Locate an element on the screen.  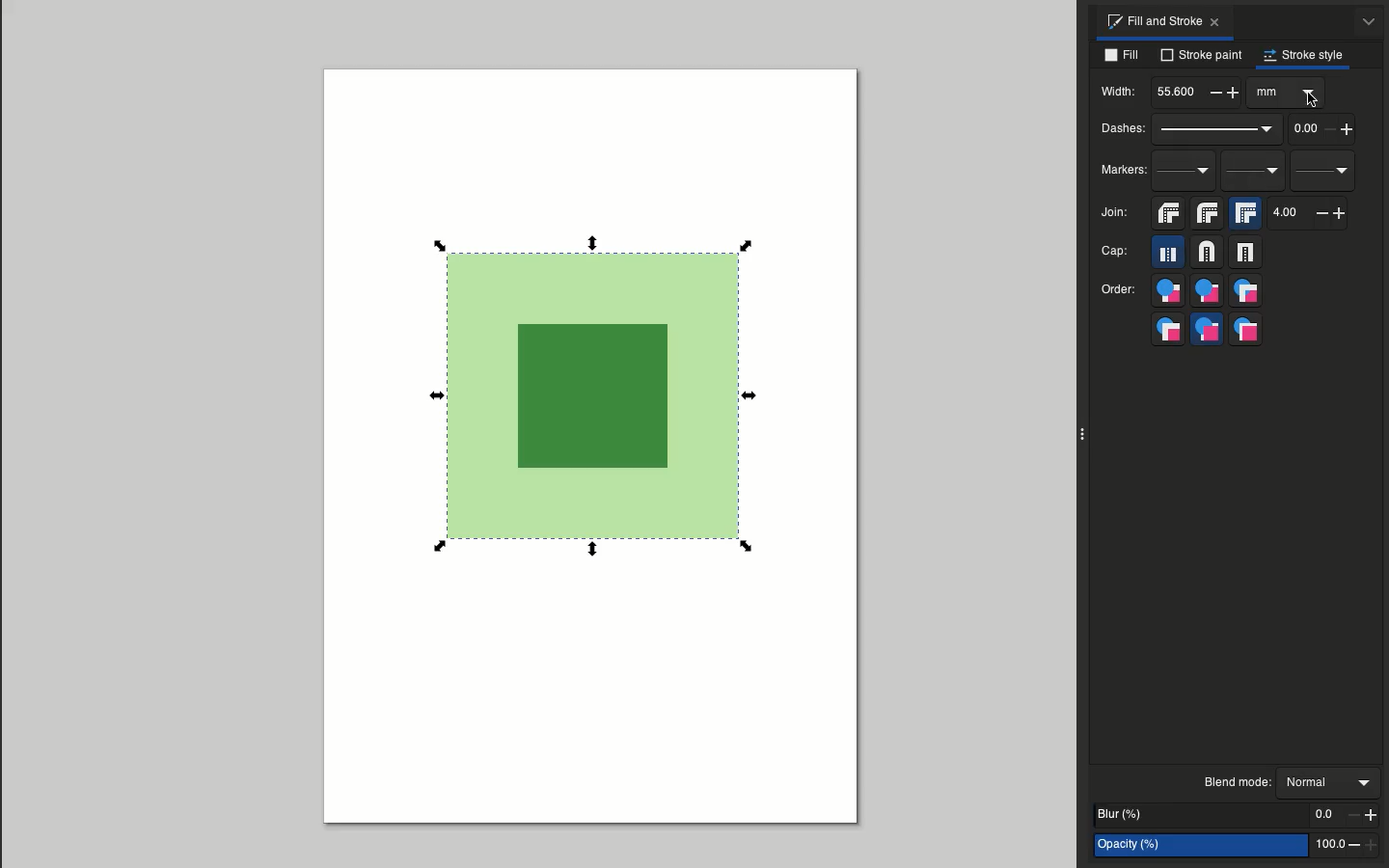
Scale selection is located at coordinates (441, 244).